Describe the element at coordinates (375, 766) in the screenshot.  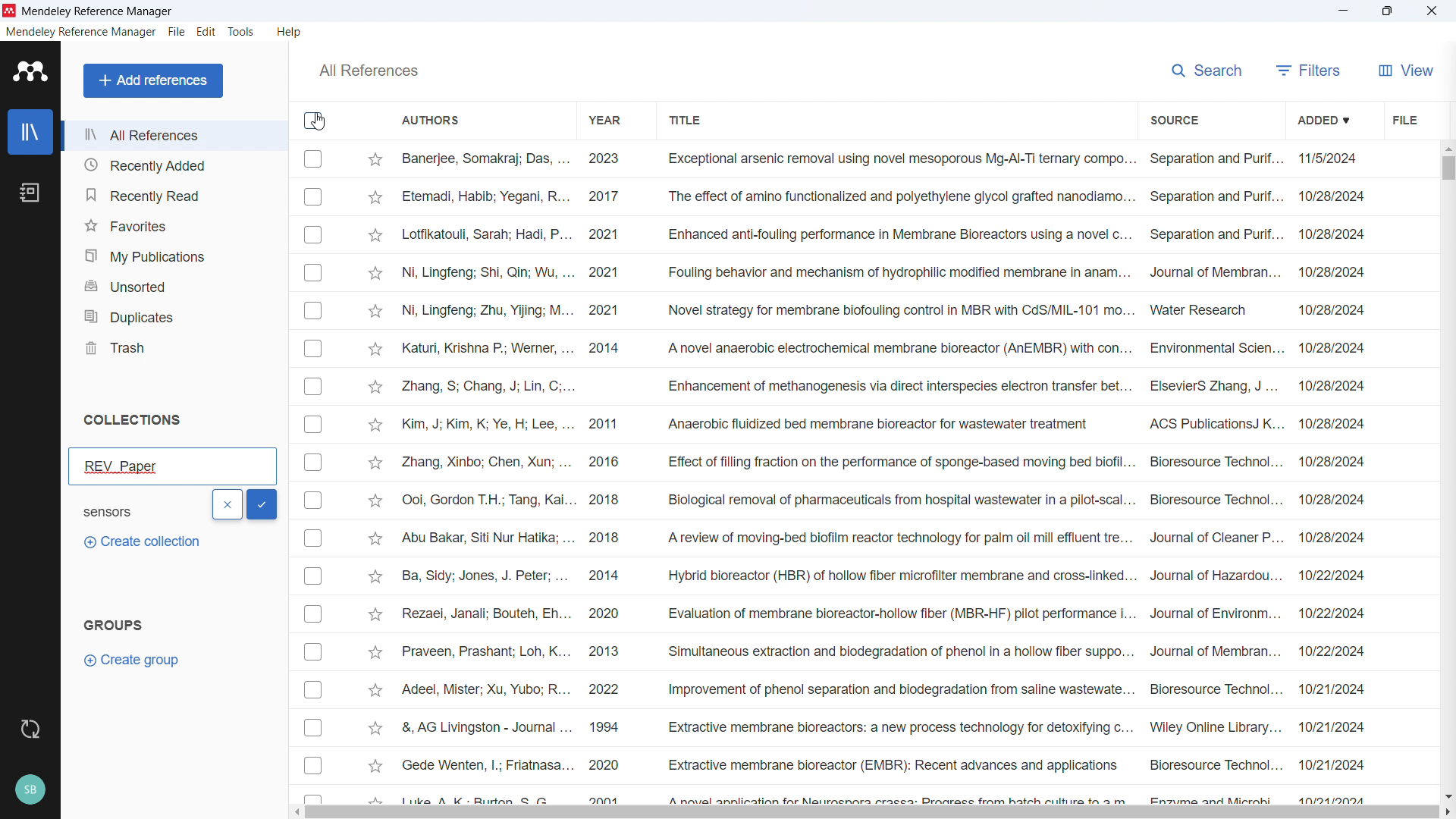
I see `Star mark respective publication` at that location.